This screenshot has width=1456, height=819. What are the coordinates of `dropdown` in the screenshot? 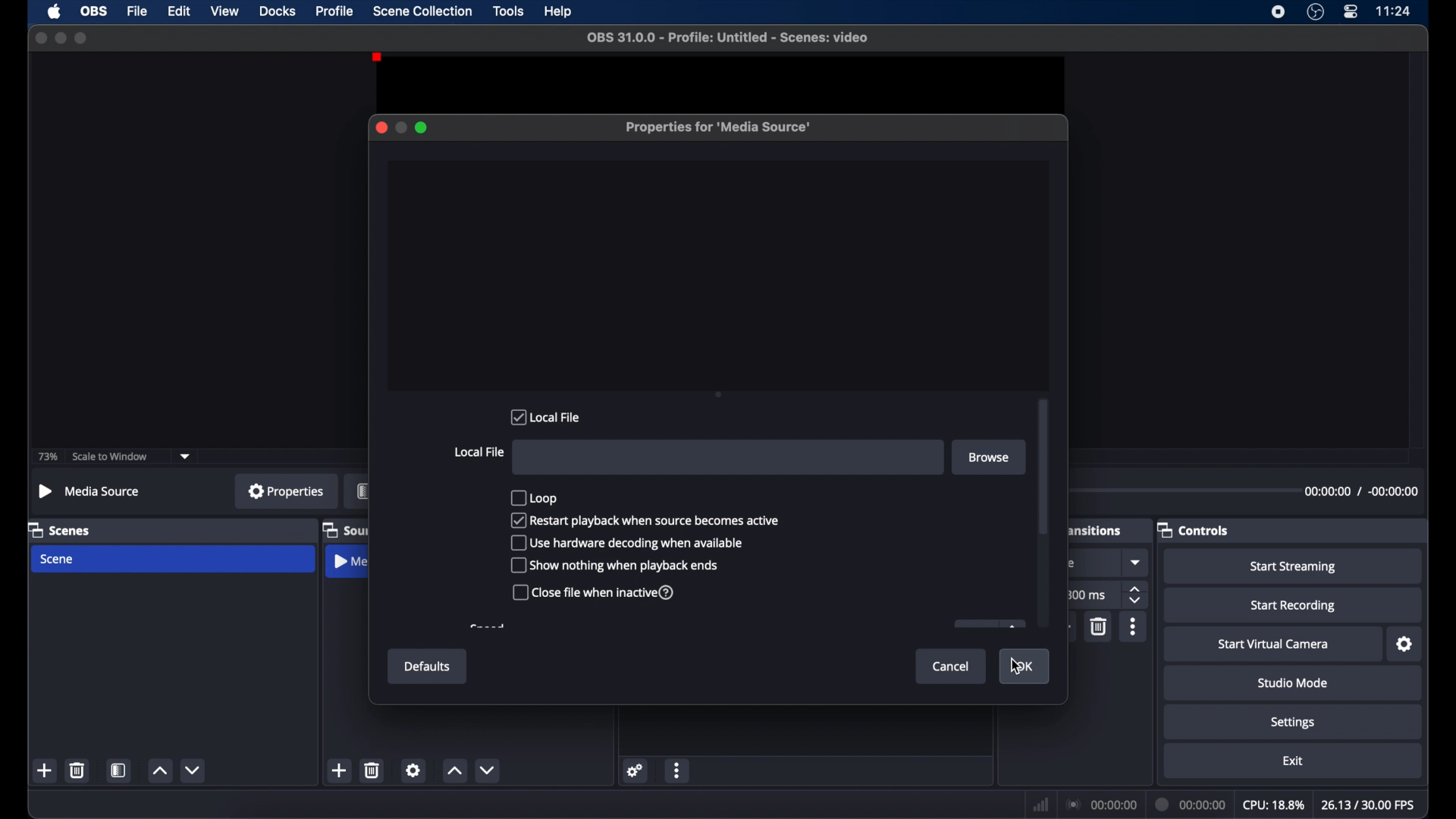 It's located at (186, 457).